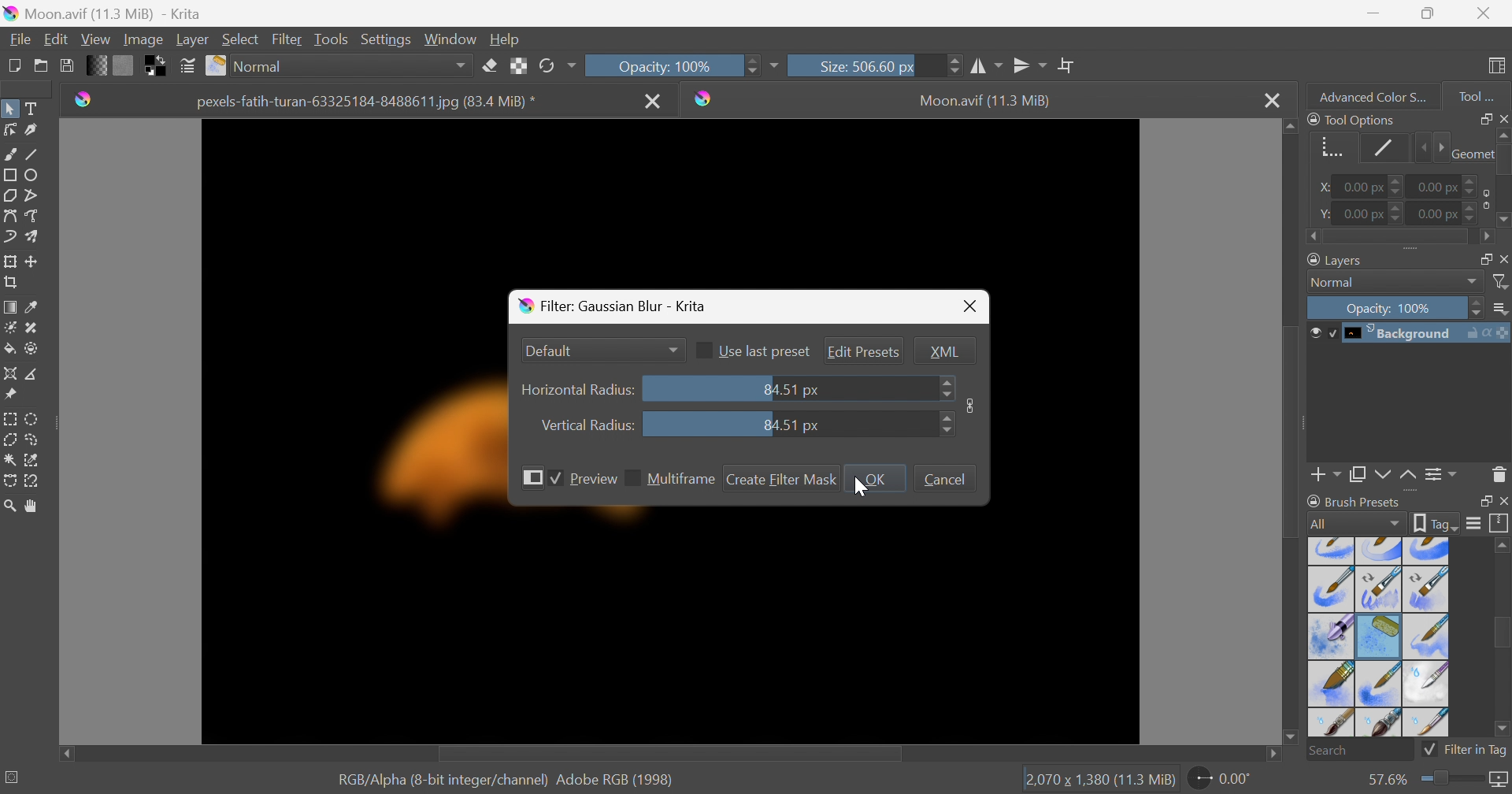  What do you see at coordinates (1438, 147) in the screenshot?
I see `Next` at bounding box center [1438, 147].